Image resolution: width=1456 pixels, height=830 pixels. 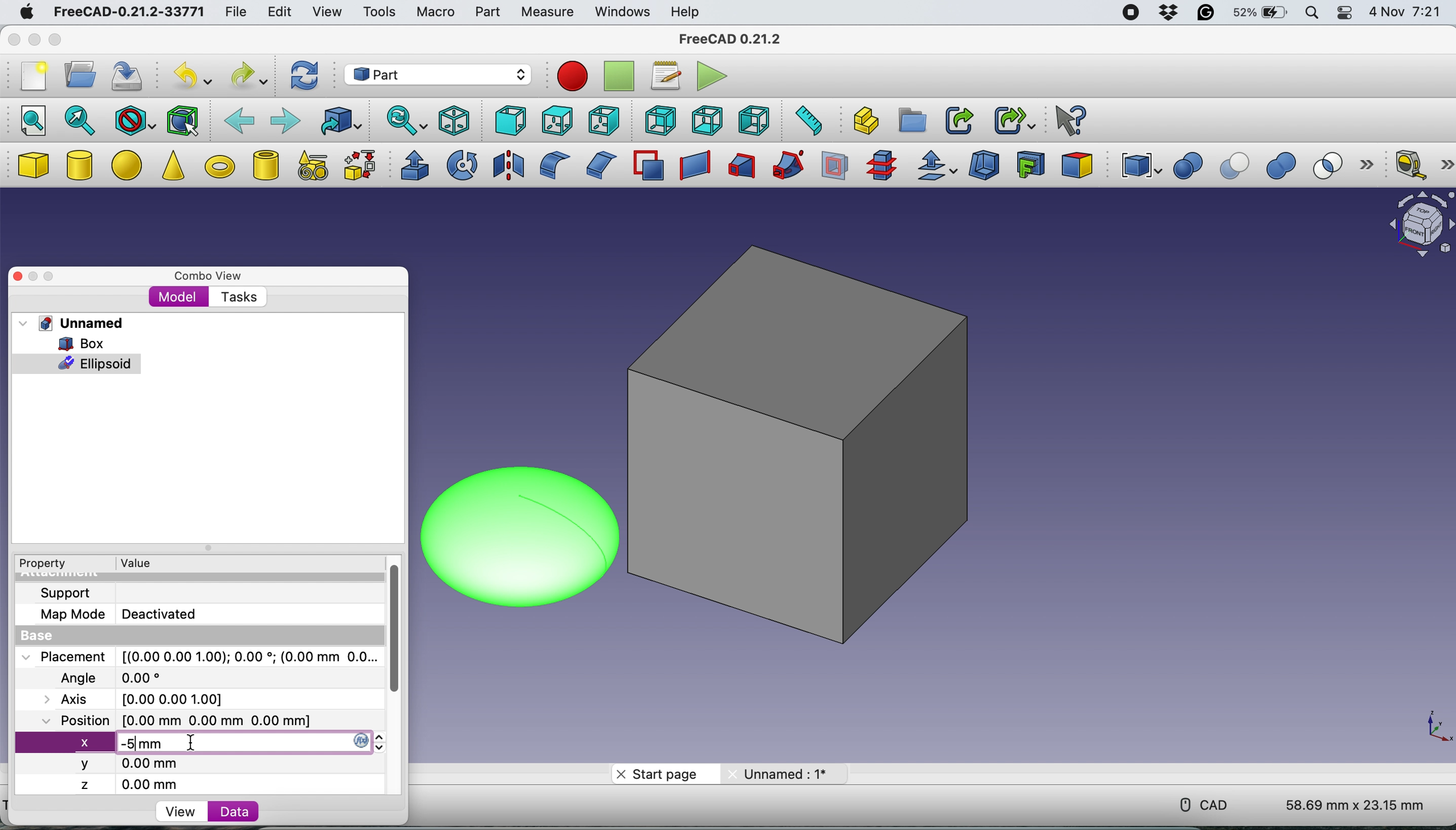 I want to click on create part, so click(x=863, y=121).